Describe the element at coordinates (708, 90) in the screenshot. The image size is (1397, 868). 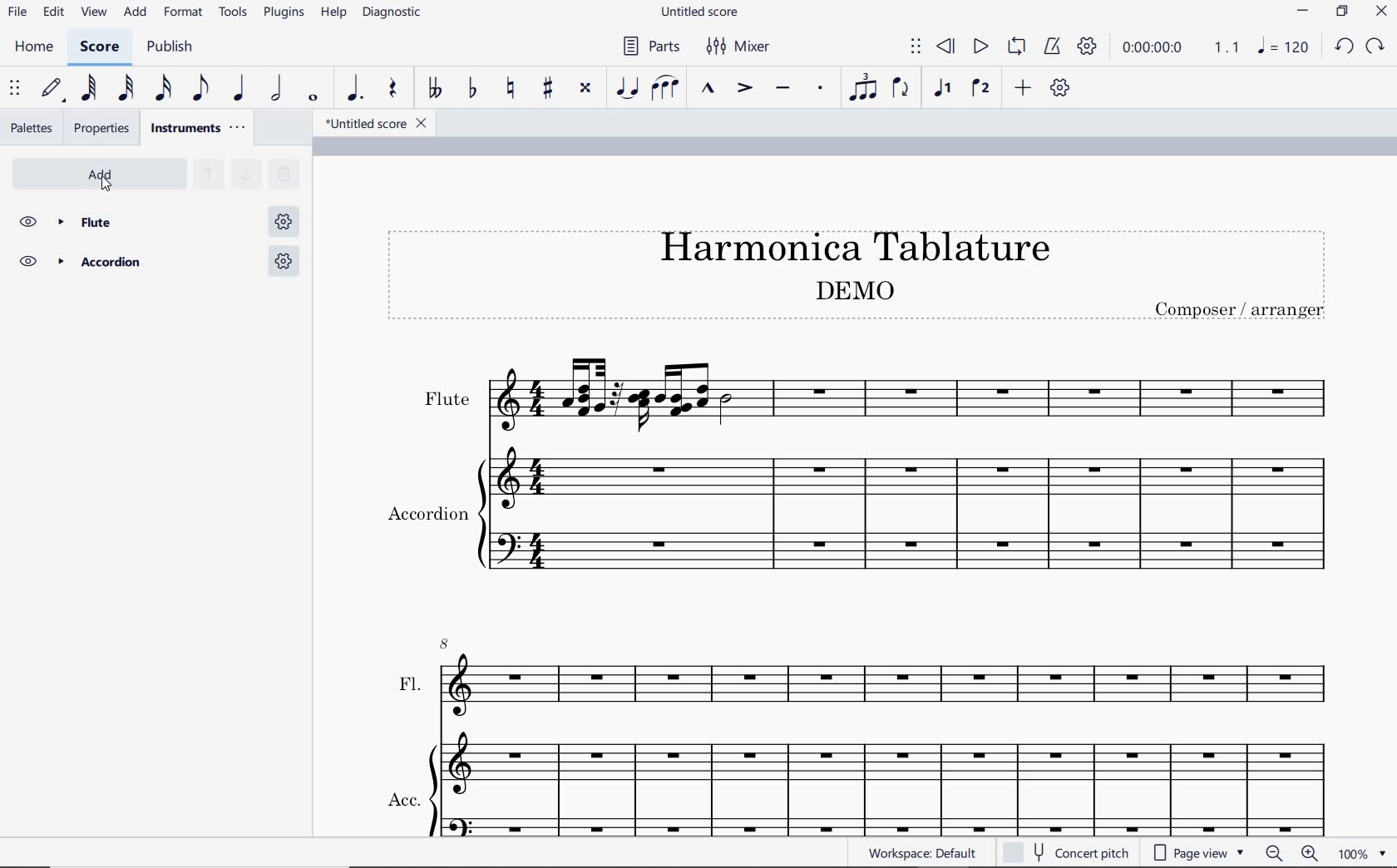
I see `marcato` at that location.